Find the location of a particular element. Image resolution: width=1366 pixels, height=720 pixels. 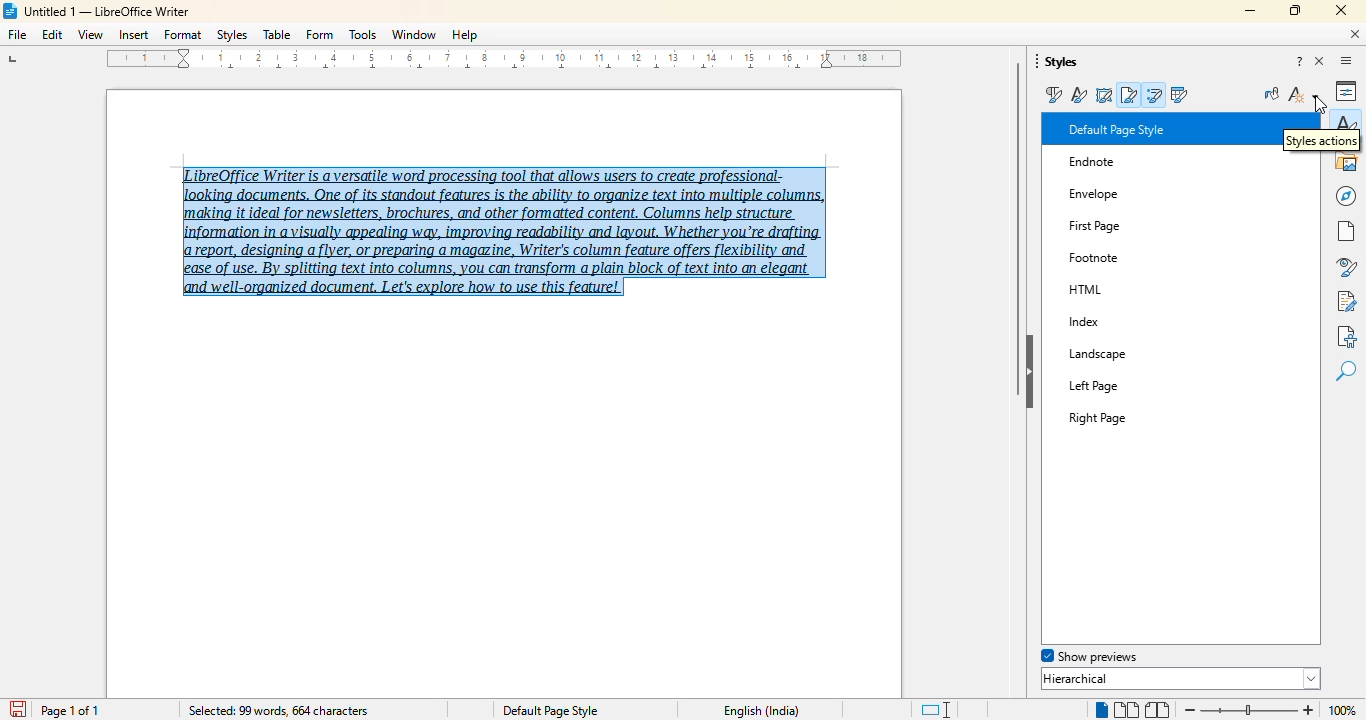

gallery is located at coordinates (1347, 161).